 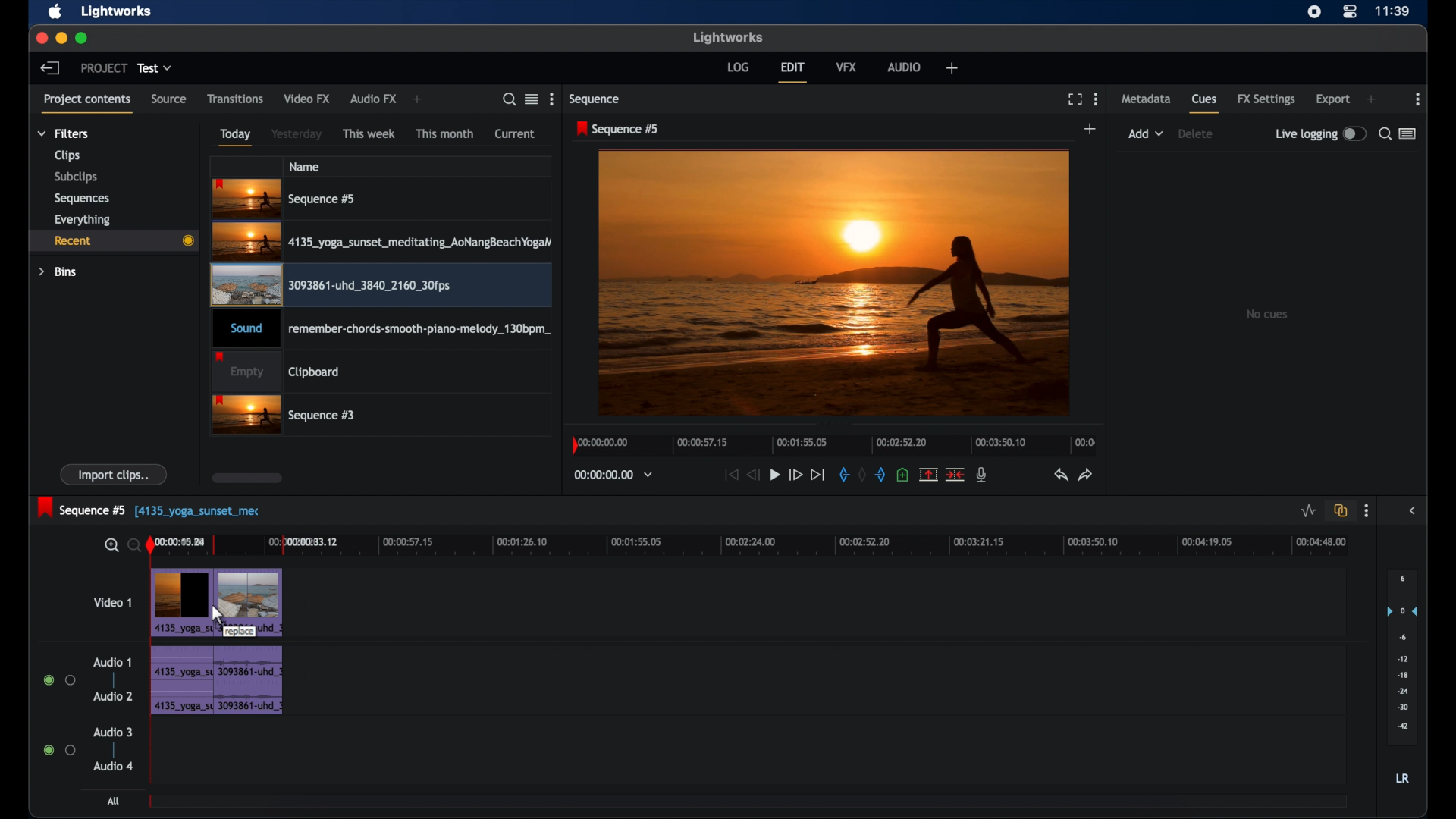 What do you see at coordinates (1401, 657) in the screenshot?
I see `set audio output levels` at bounding box center [1401, 657].